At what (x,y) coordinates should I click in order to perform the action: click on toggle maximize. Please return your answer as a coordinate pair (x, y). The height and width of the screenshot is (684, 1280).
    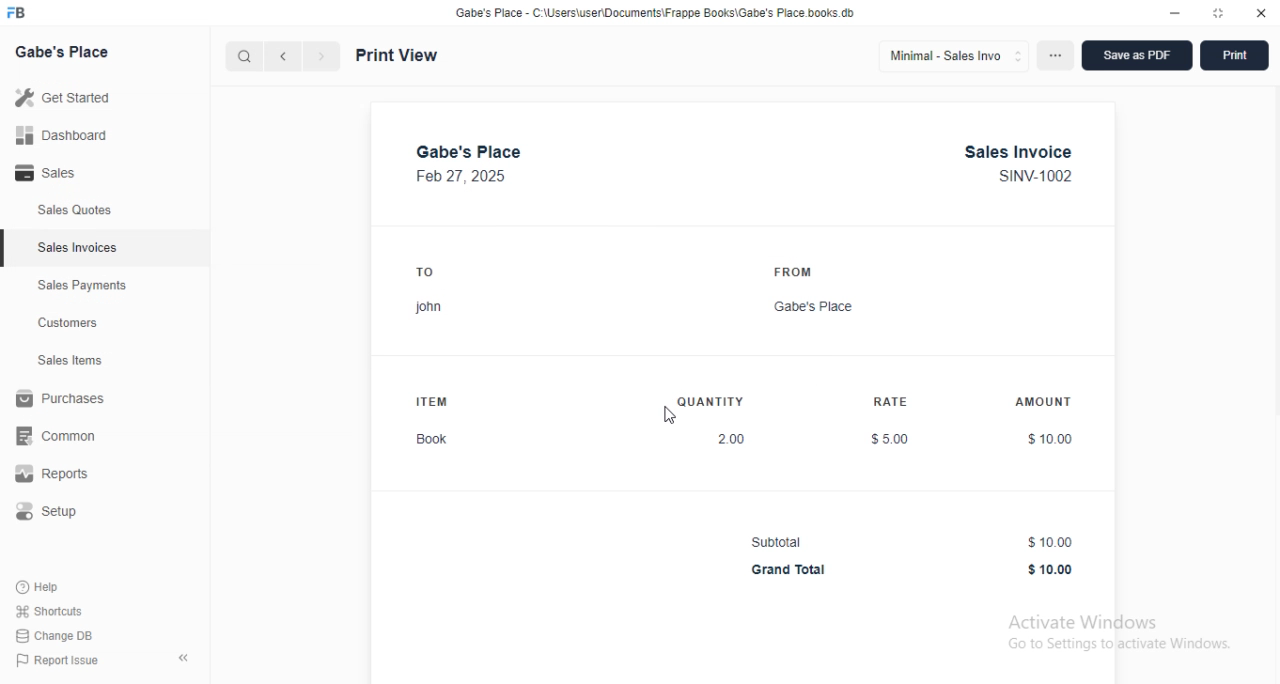
    Looking at the image, I should click on (1219, 12).